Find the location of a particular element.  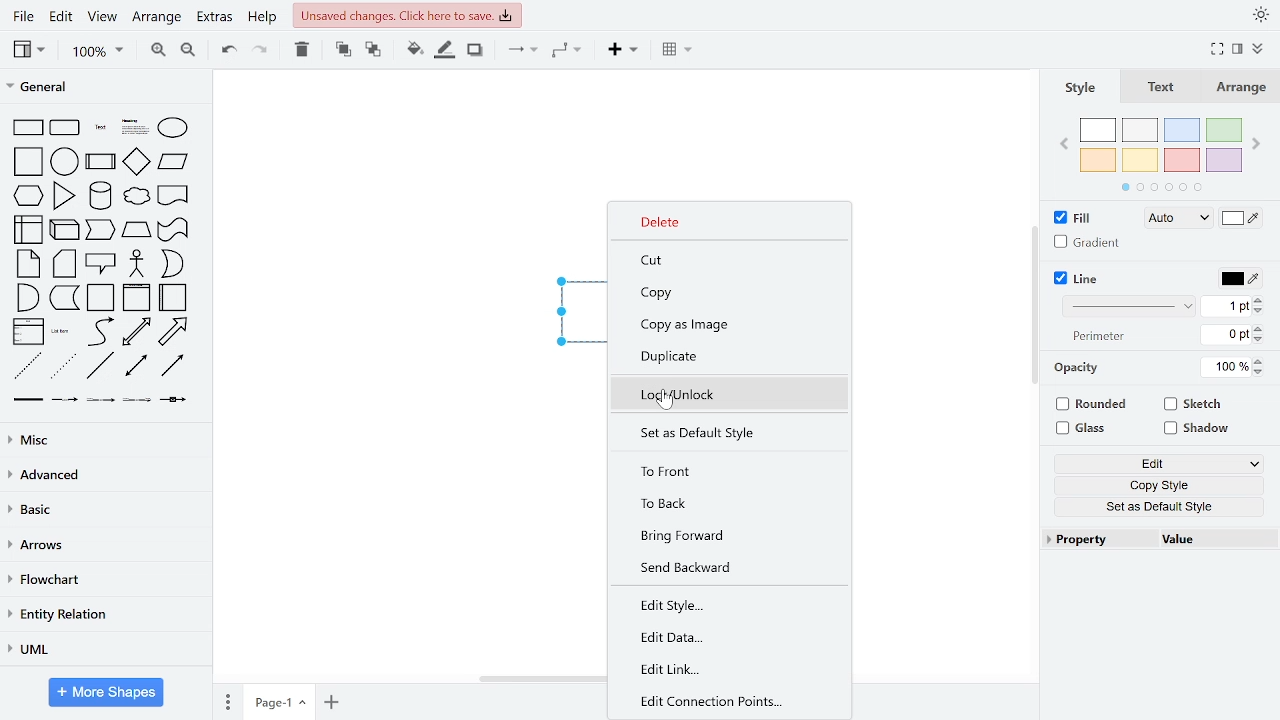

bidirectional connector is located at coordinates (134, 366).